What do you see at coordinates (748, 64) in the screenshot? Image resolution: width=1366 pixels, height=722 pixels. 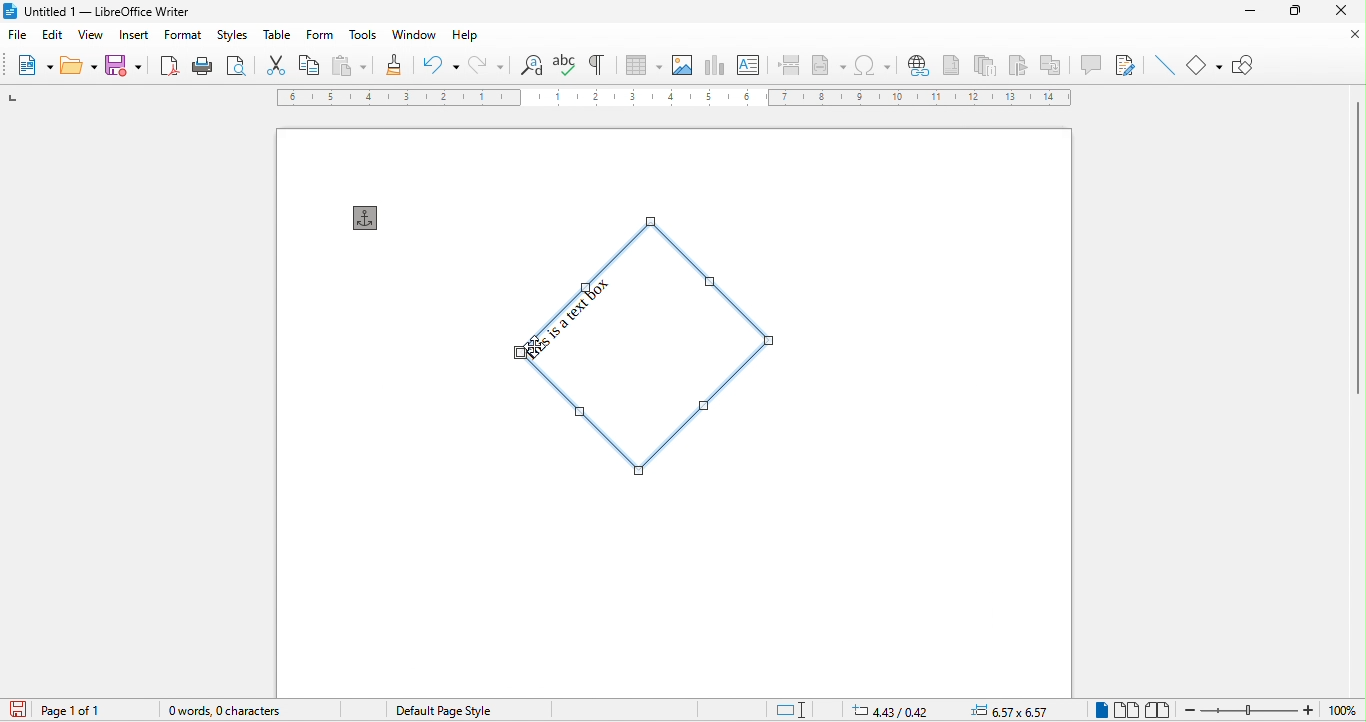 I see `text box` at bounding box center [748, 64].